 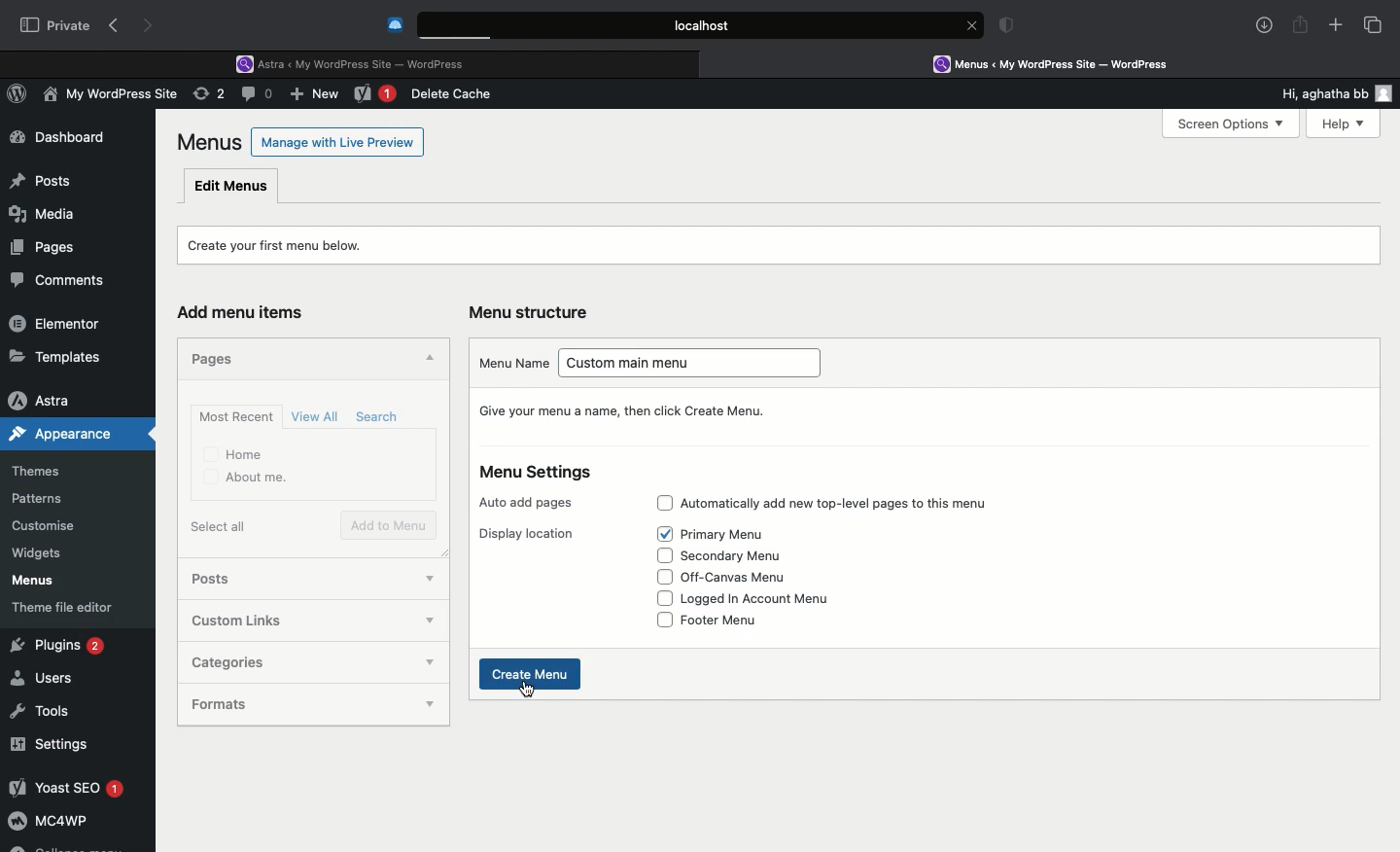 I want to click on Custom links, so click(x=262, y=621).